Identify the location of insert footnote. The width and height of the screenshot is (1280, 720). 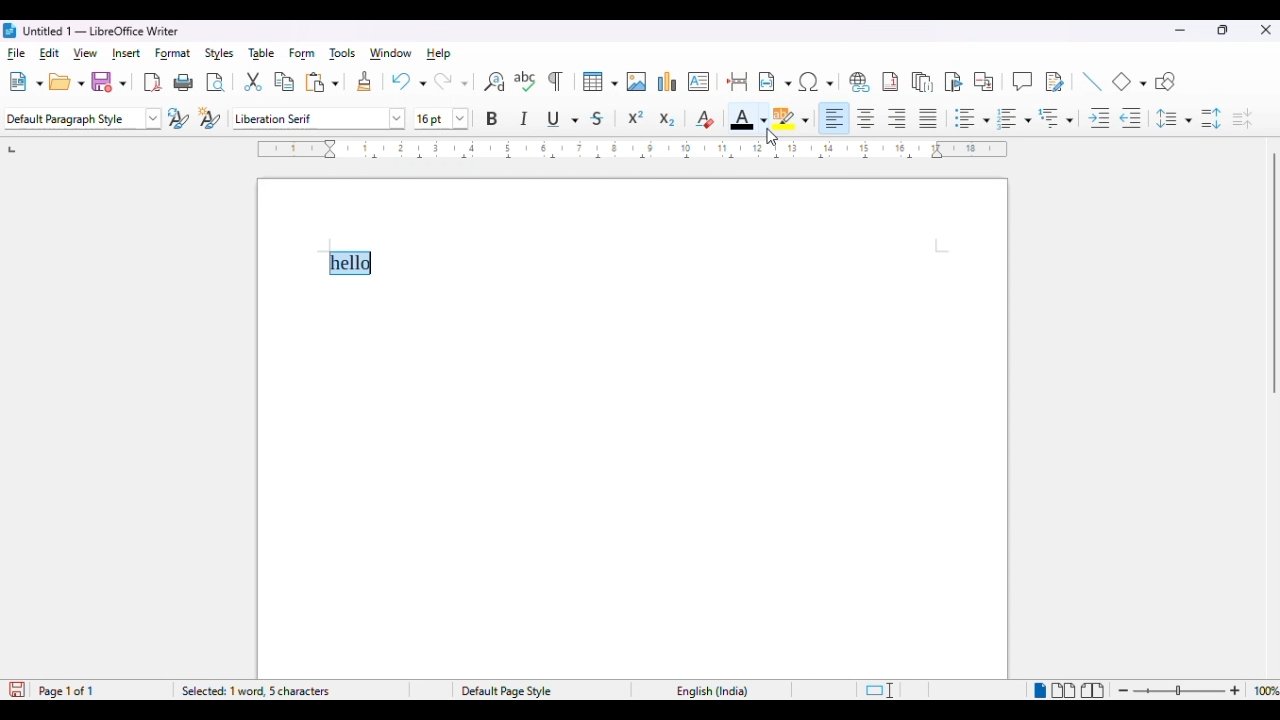
(890, 82).